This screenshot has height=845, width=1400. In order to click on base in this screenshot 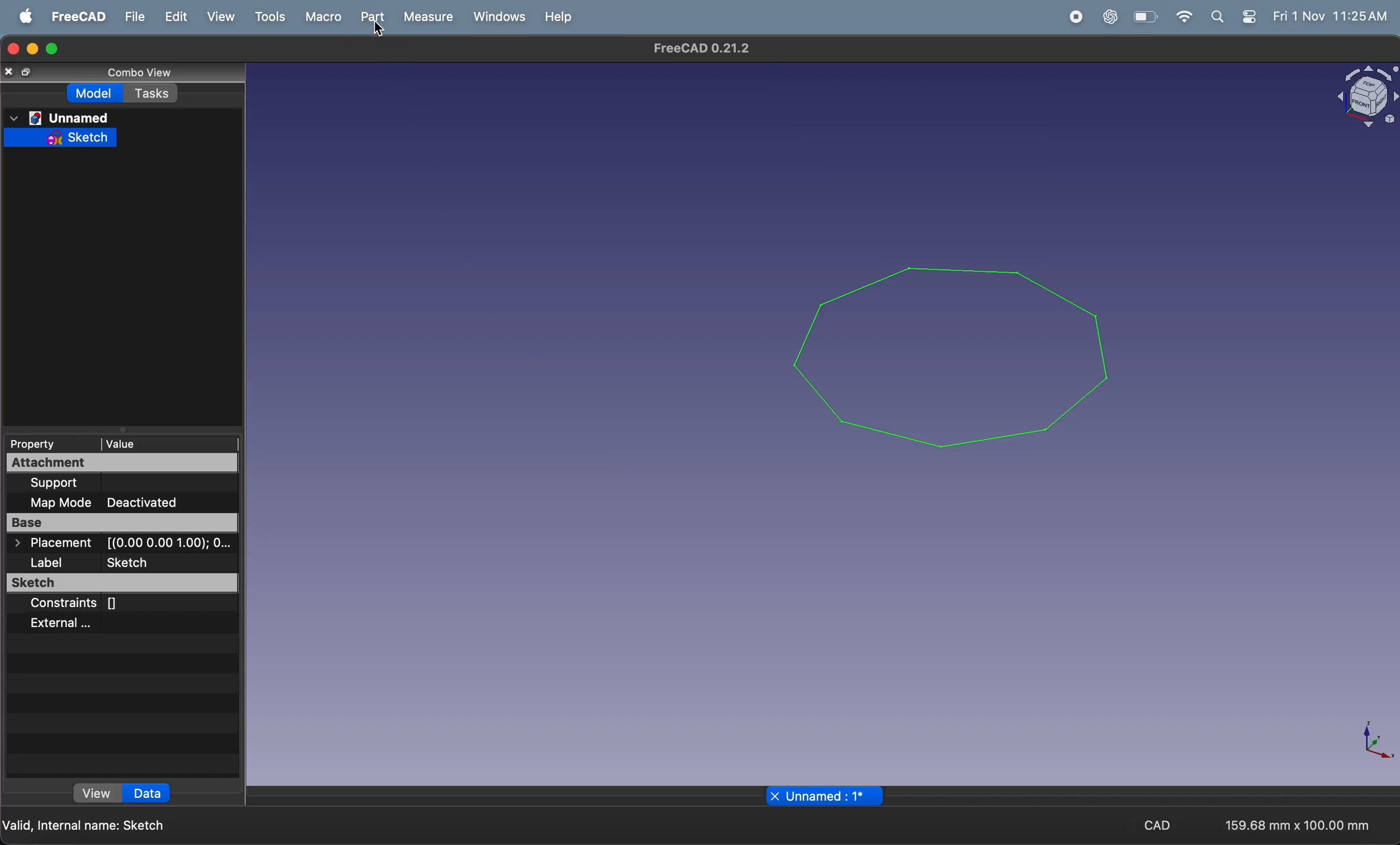, I will do `click(124, 522)`.